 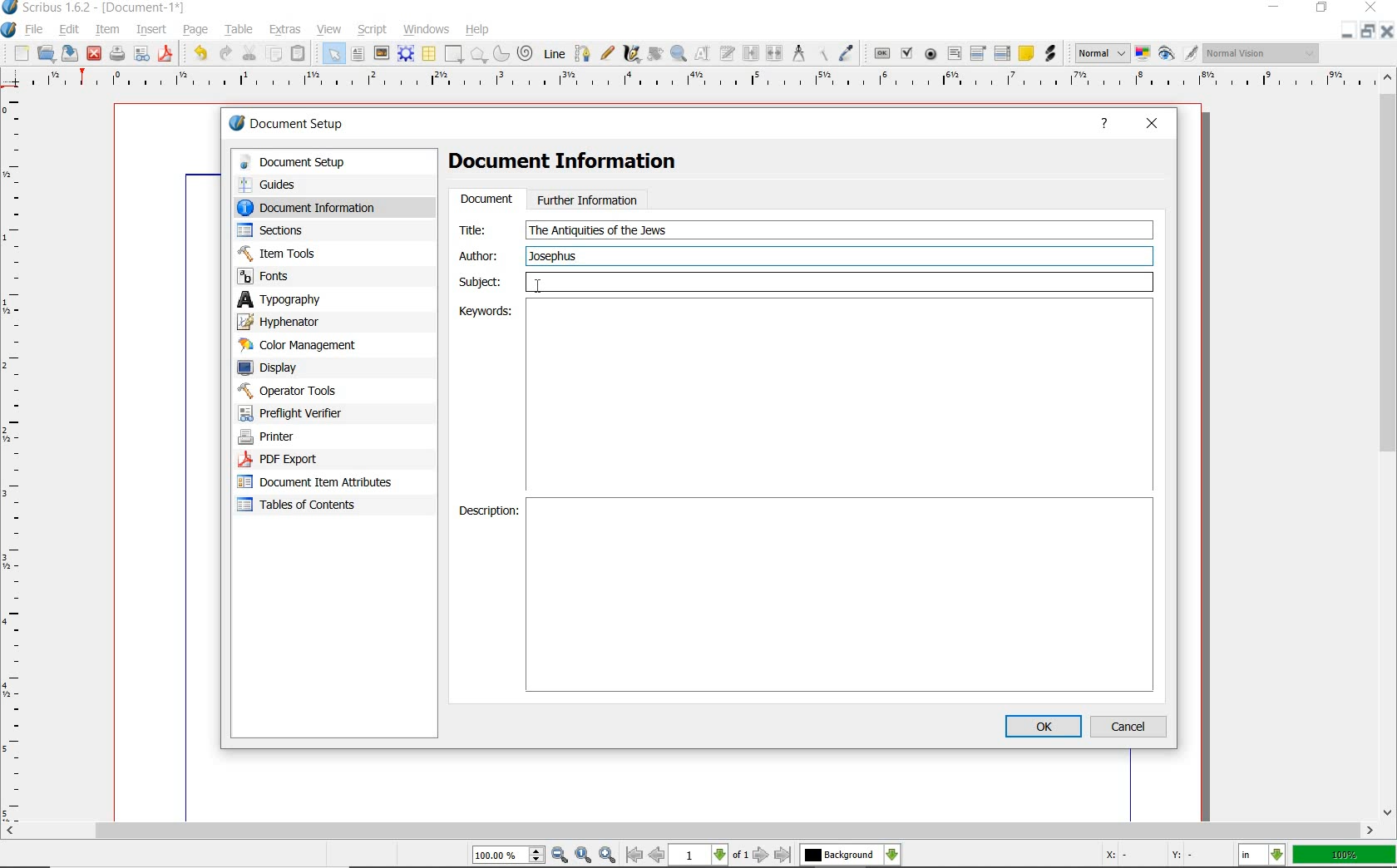 I want to click on Line, so click(x=554, y=54).